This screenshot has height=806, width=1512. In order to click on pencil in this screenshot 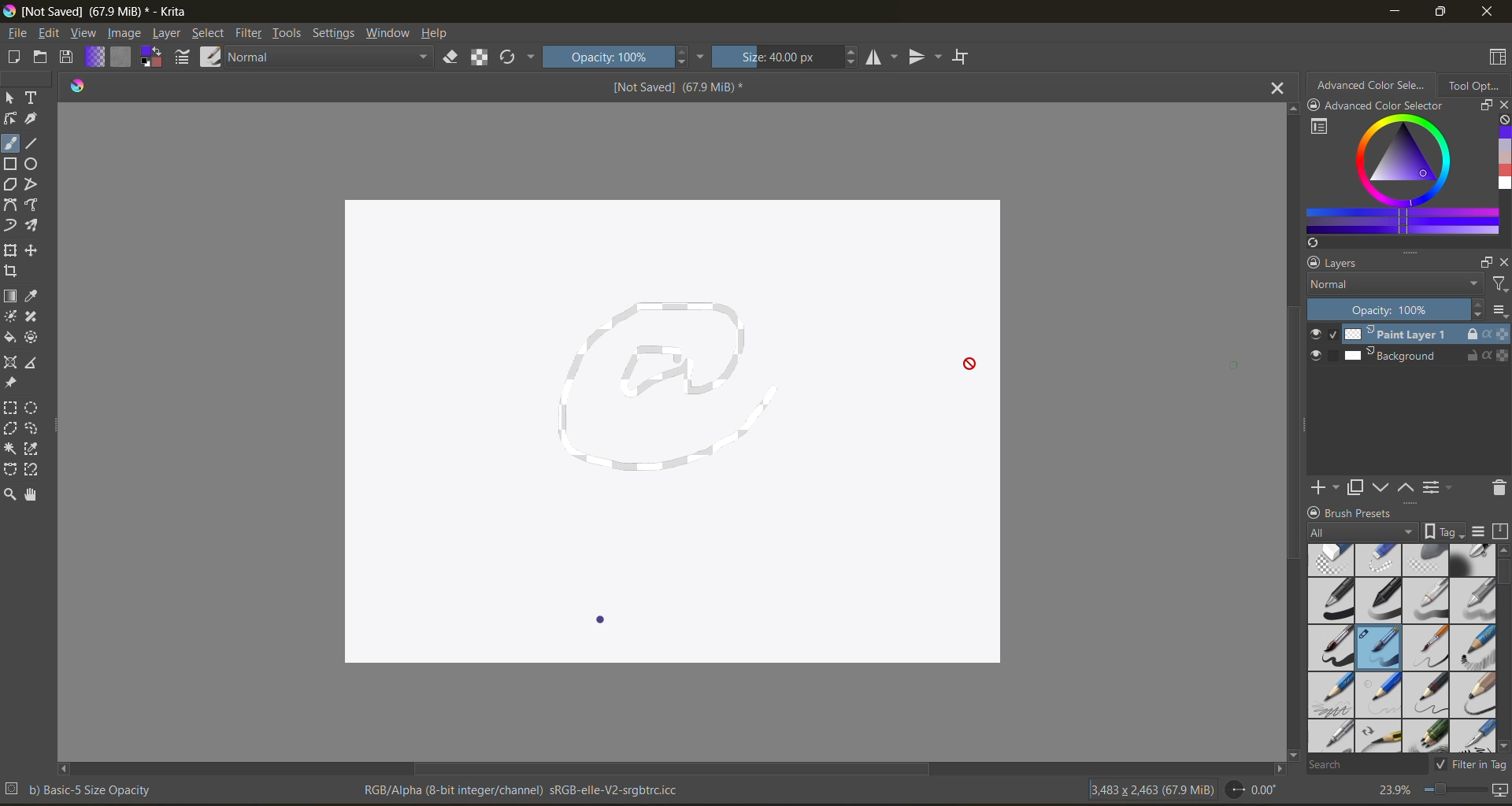, I will do `click(1473, 648)`.